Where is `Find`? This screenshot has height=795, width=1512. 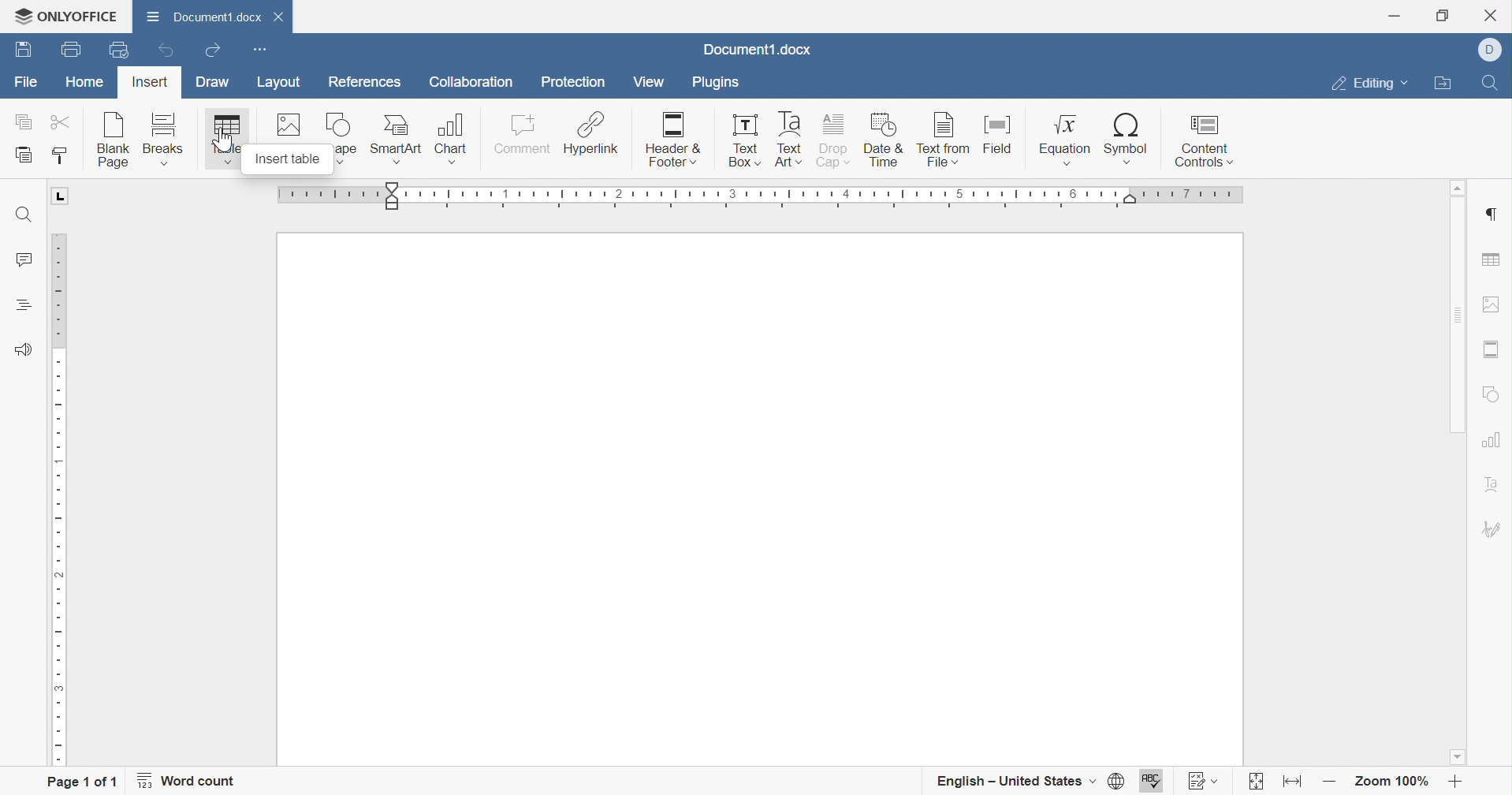
Find is located at coordinates (1490, 84).